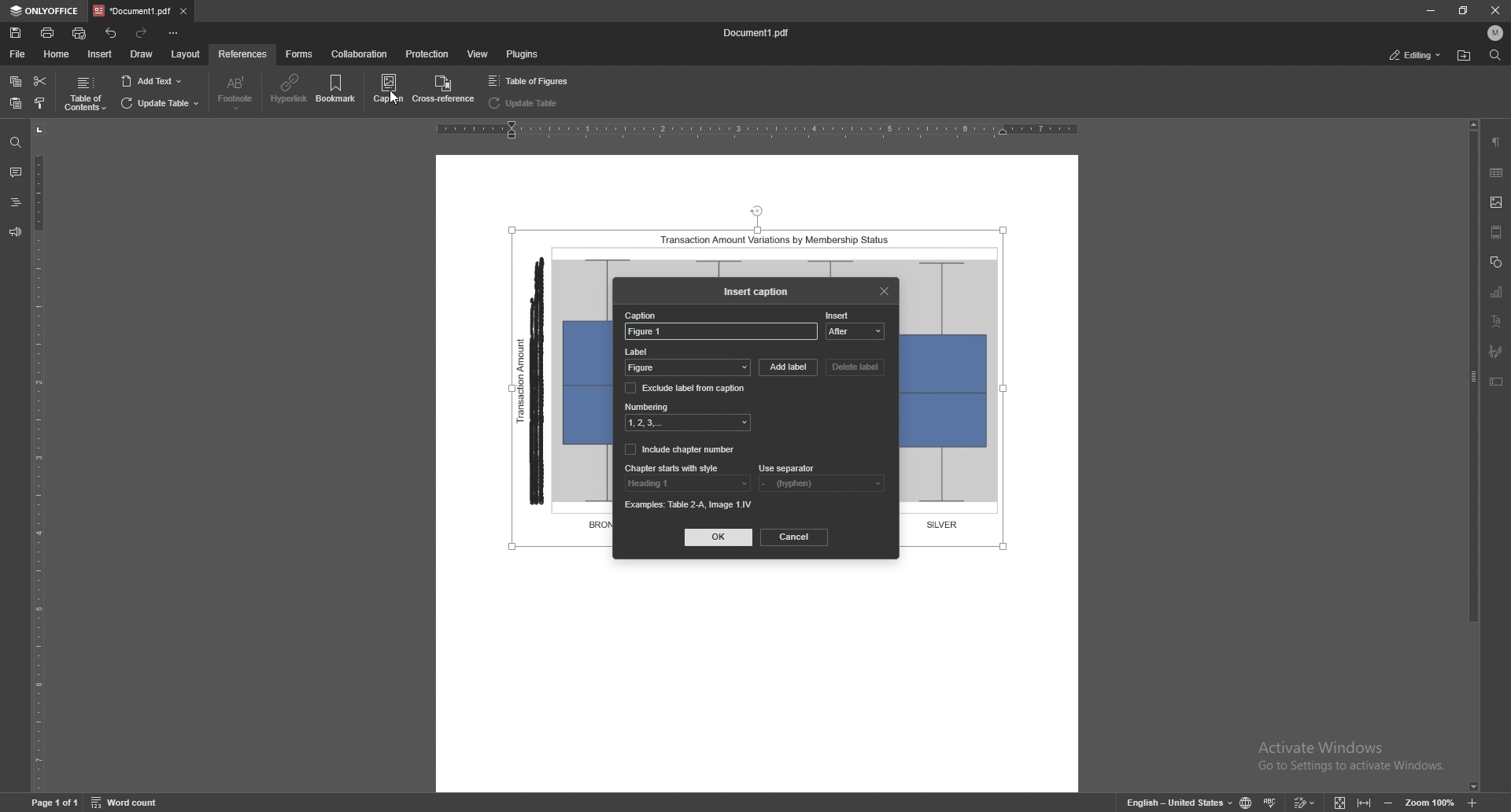 This screenshot has height=812, width=1511. What do you see at coordinates (1495, 321) in the screenshot?
I see `text art` at bounding box center [1495, 321].